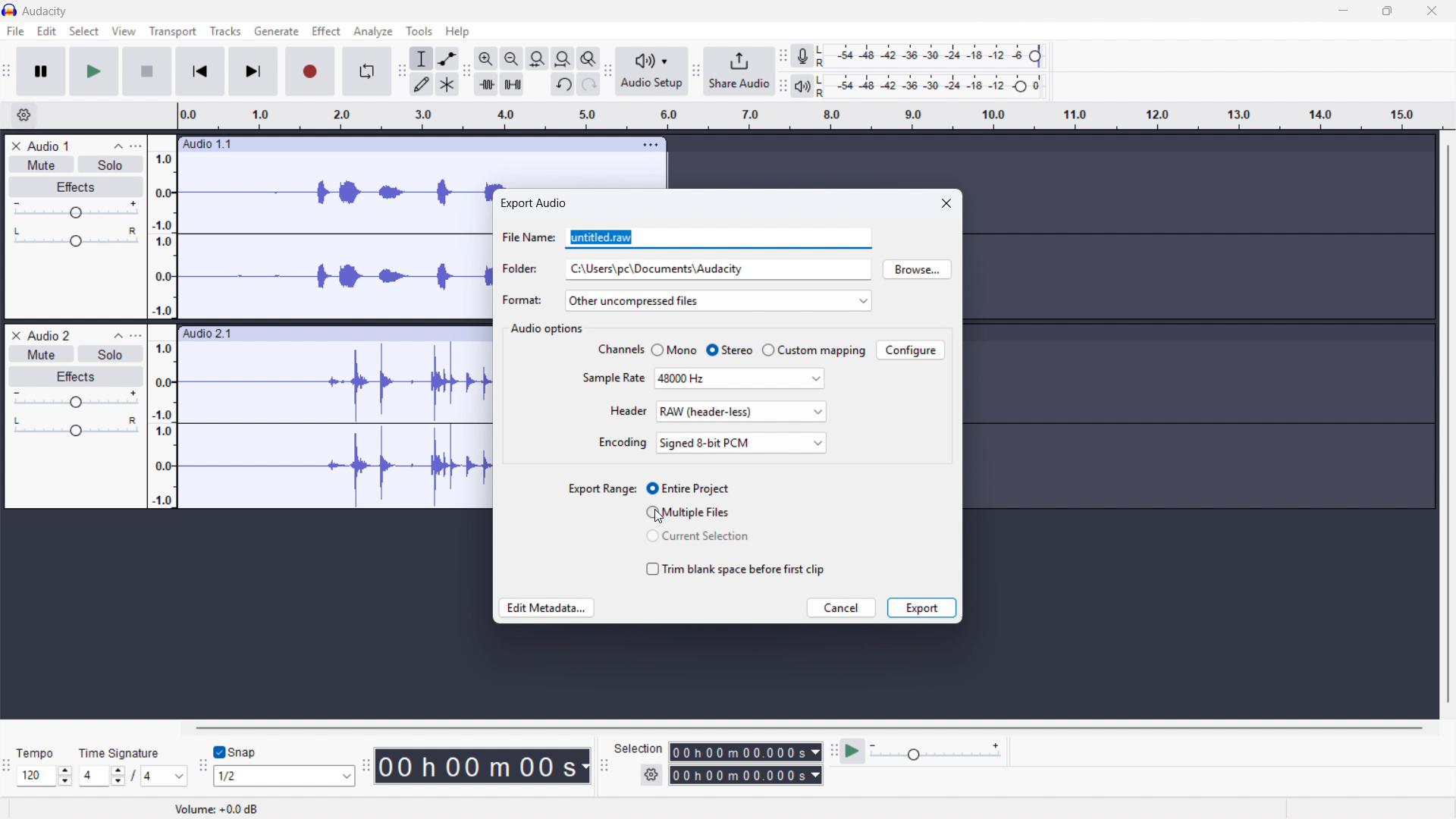  What do you see at coordinates (742, 412) in the screenshot?
I see `Select header ` at bounding box center [742, 412].